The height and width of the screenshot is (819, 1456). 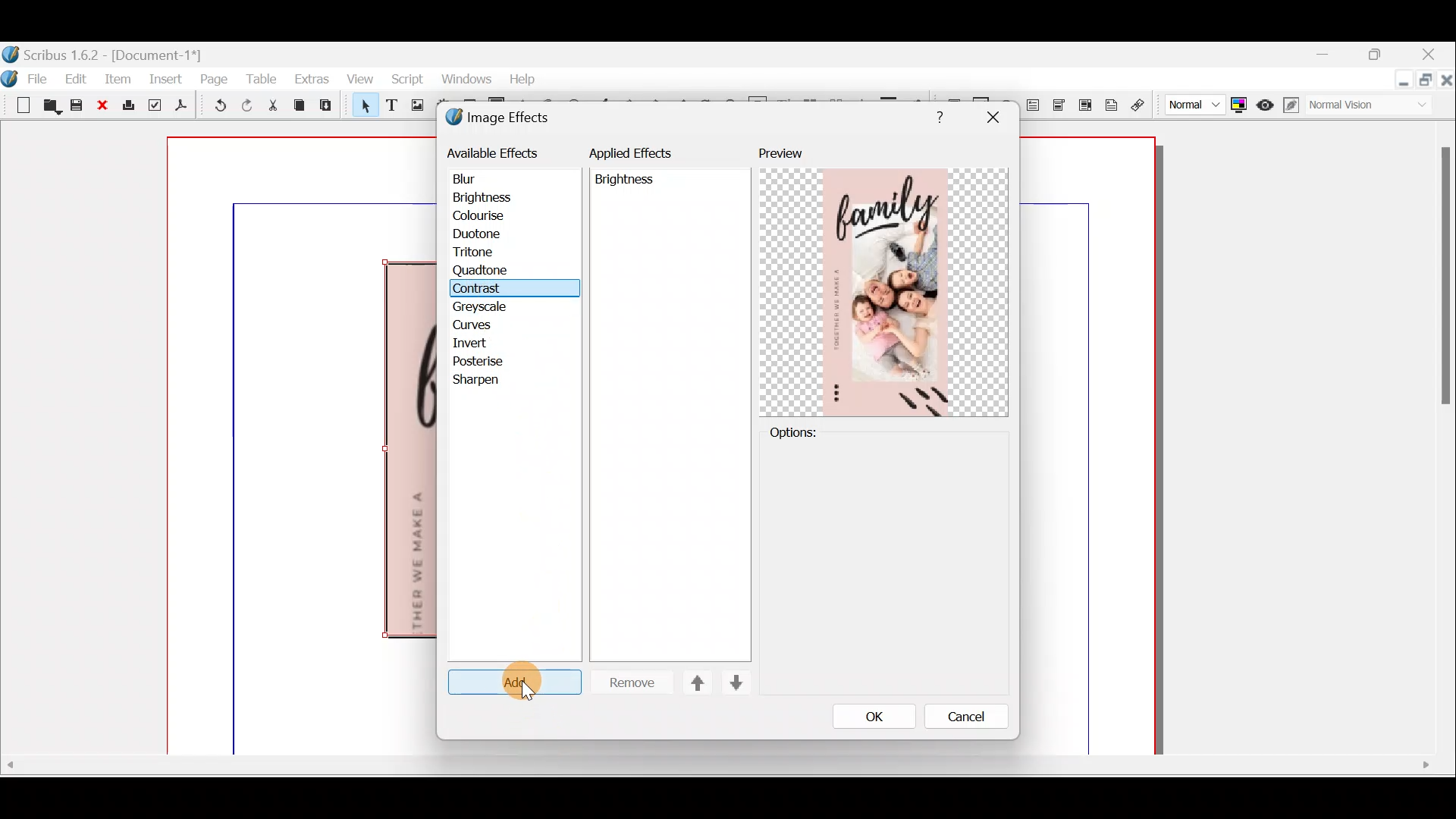 What do you see at coordinates (1191, 102) in the screenshot?
I see `Select image preview quality` at bounding box center [1191, 102].